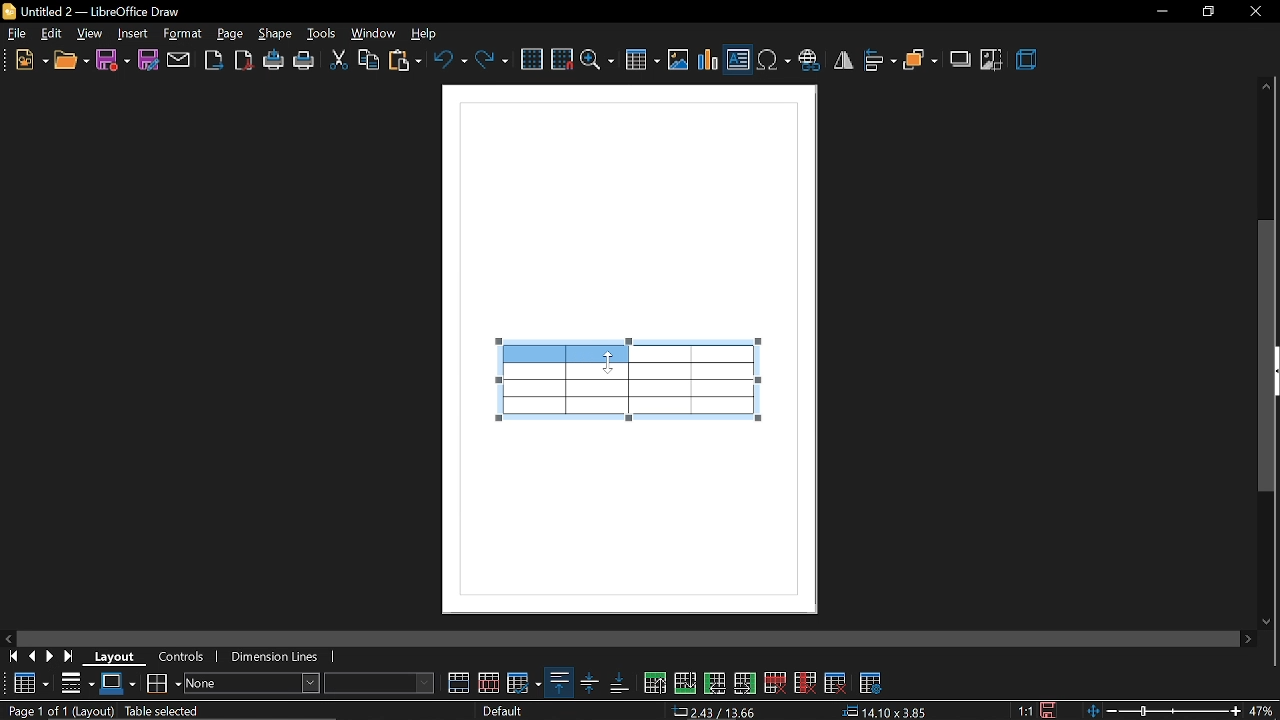 The image size is (1280, 720). Describe the element at coordinates (112, 61) in the screenshot. I see `save ` at that location.